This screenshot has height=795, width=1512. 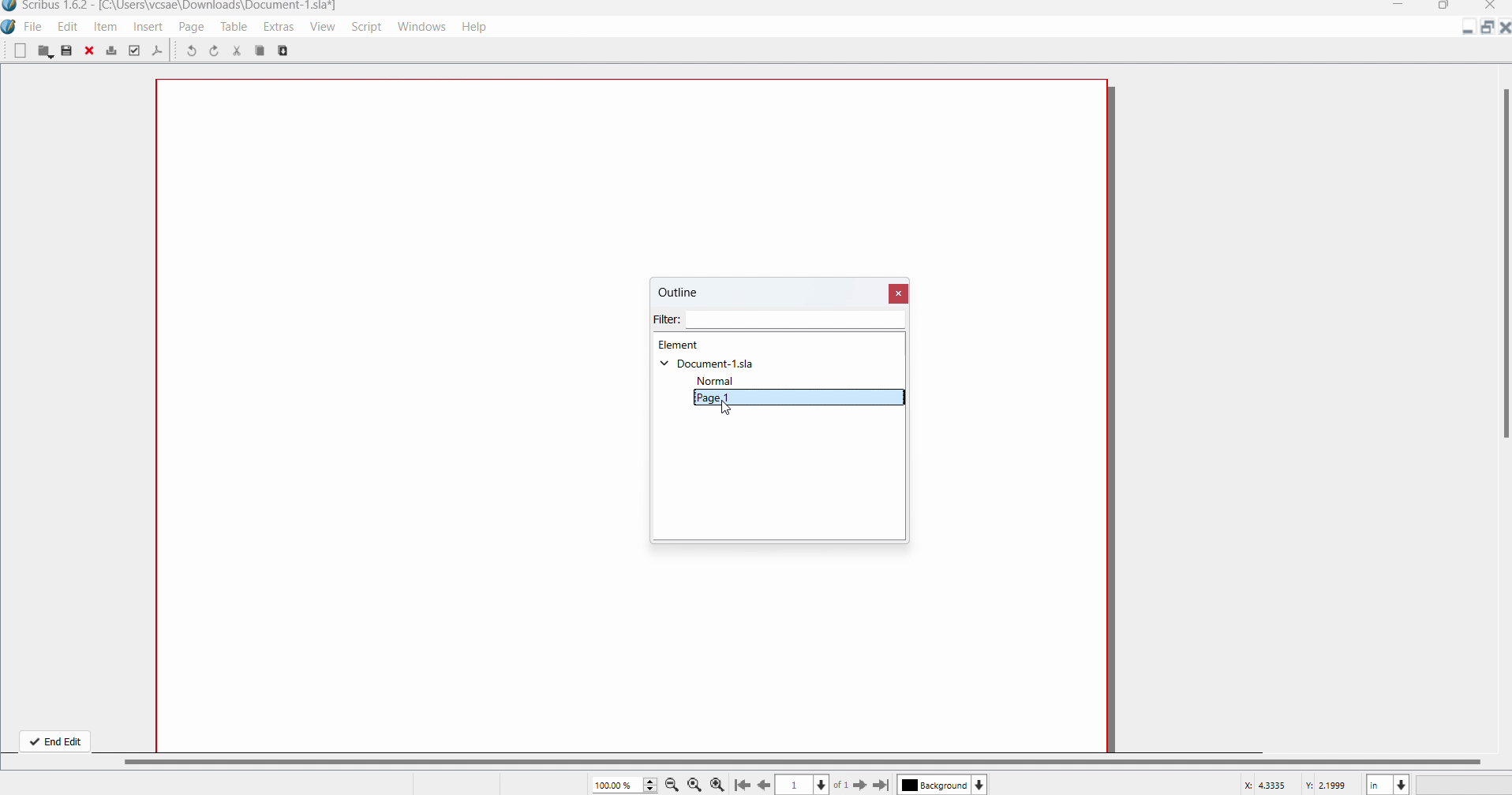 What do you see at coordinates (1492, 7) in the screenshot?
I see `Close` at bounding box center [1492, 7].